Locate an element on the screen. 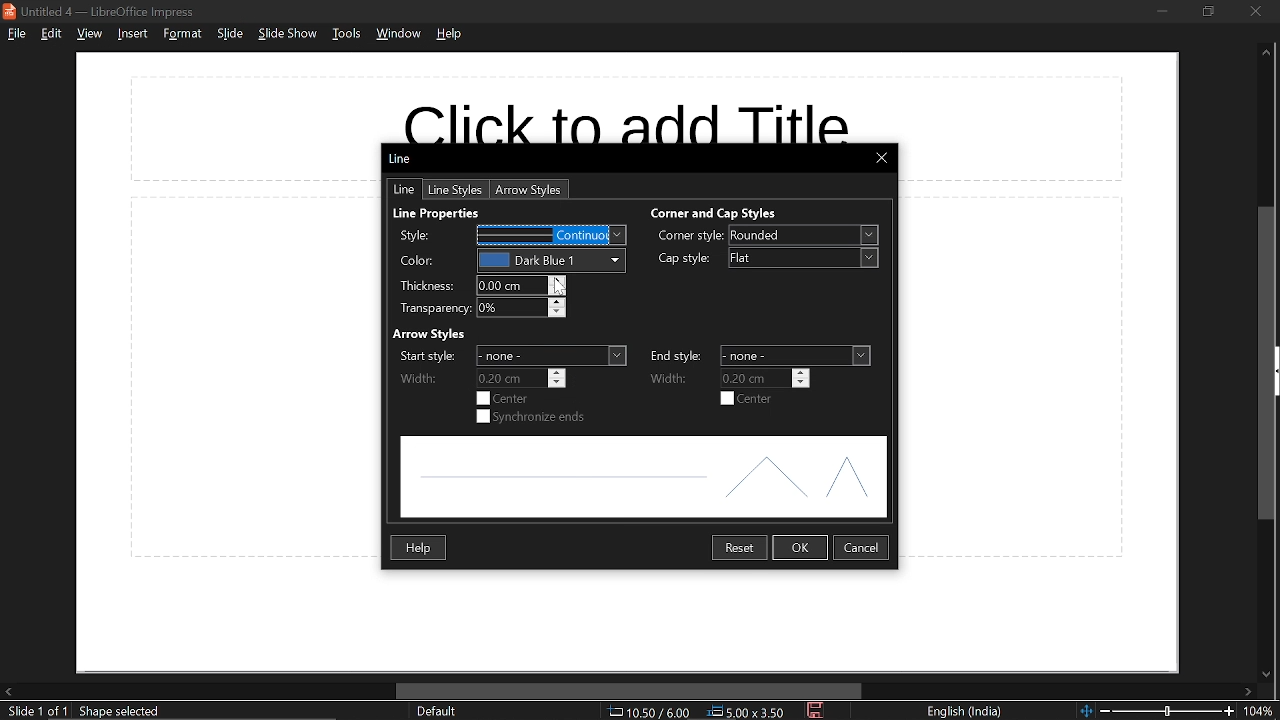  Lables is located at coordinates (677, 367).